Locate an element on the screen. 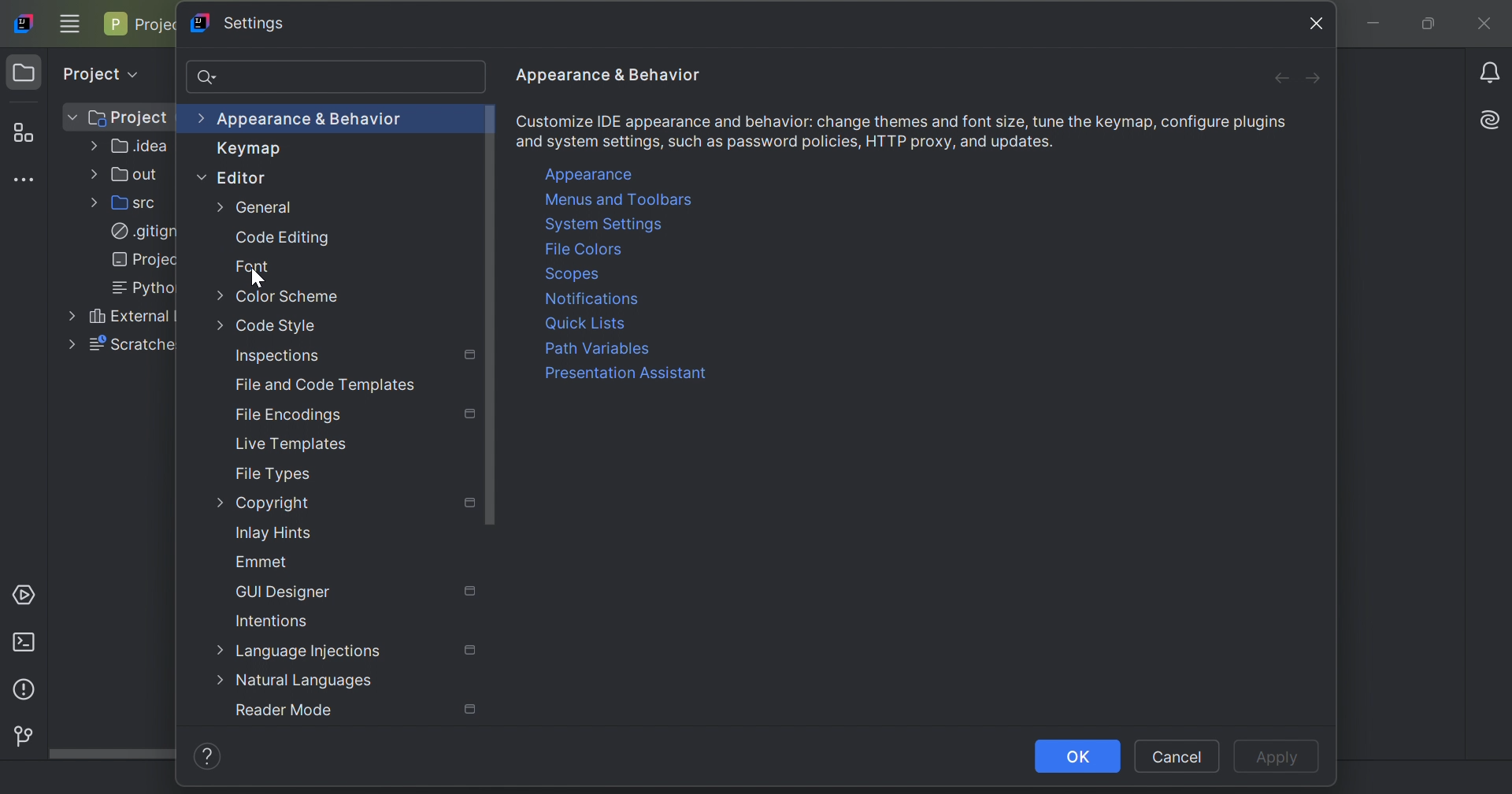 Image resolution: width=1512 pixels, height=794 pixels. System Settings is located at coordinates (624, 224).